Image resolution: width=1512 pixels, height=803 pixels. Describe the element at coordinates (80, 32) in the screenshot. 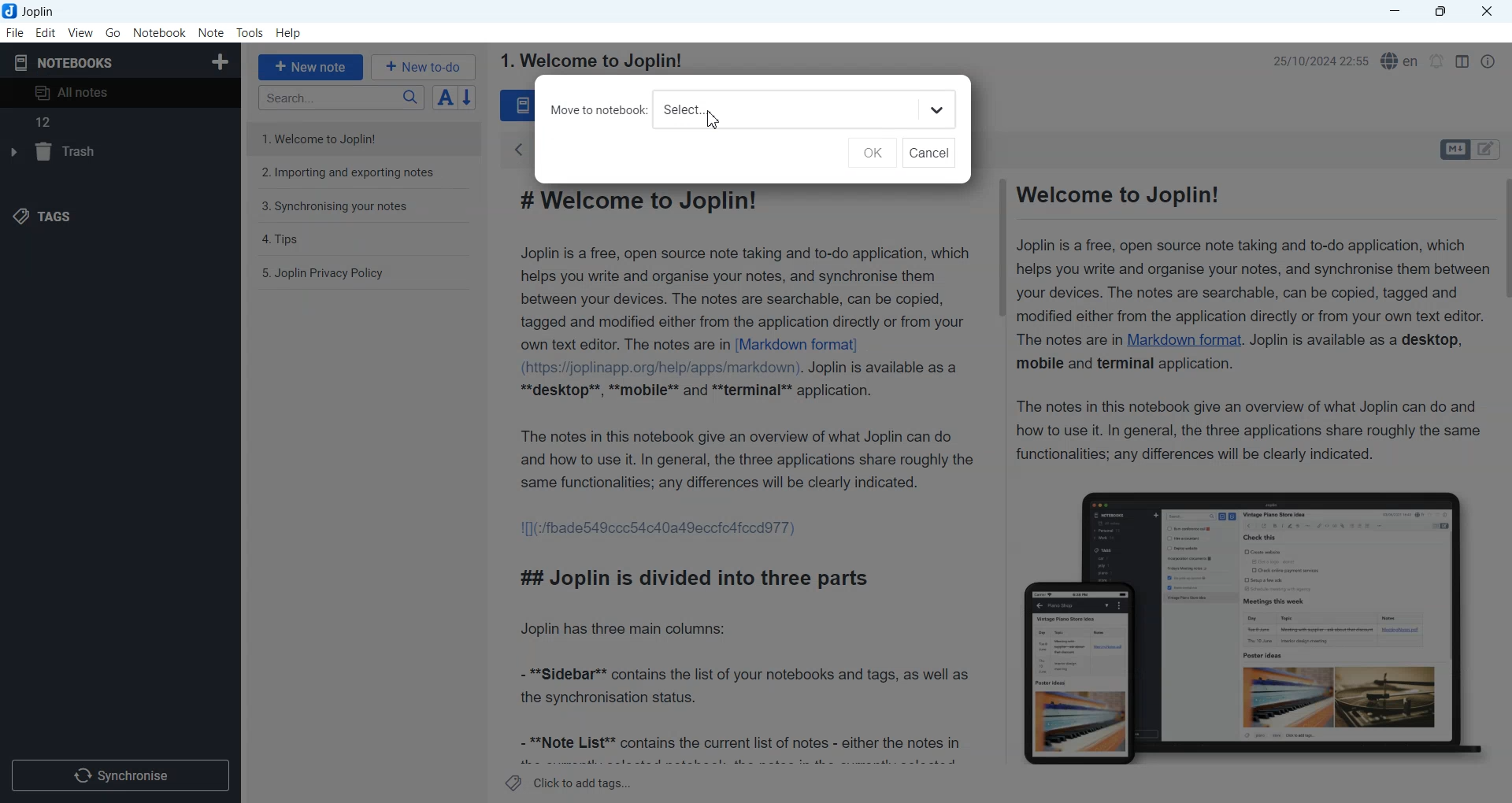

I see `View ` at that location.